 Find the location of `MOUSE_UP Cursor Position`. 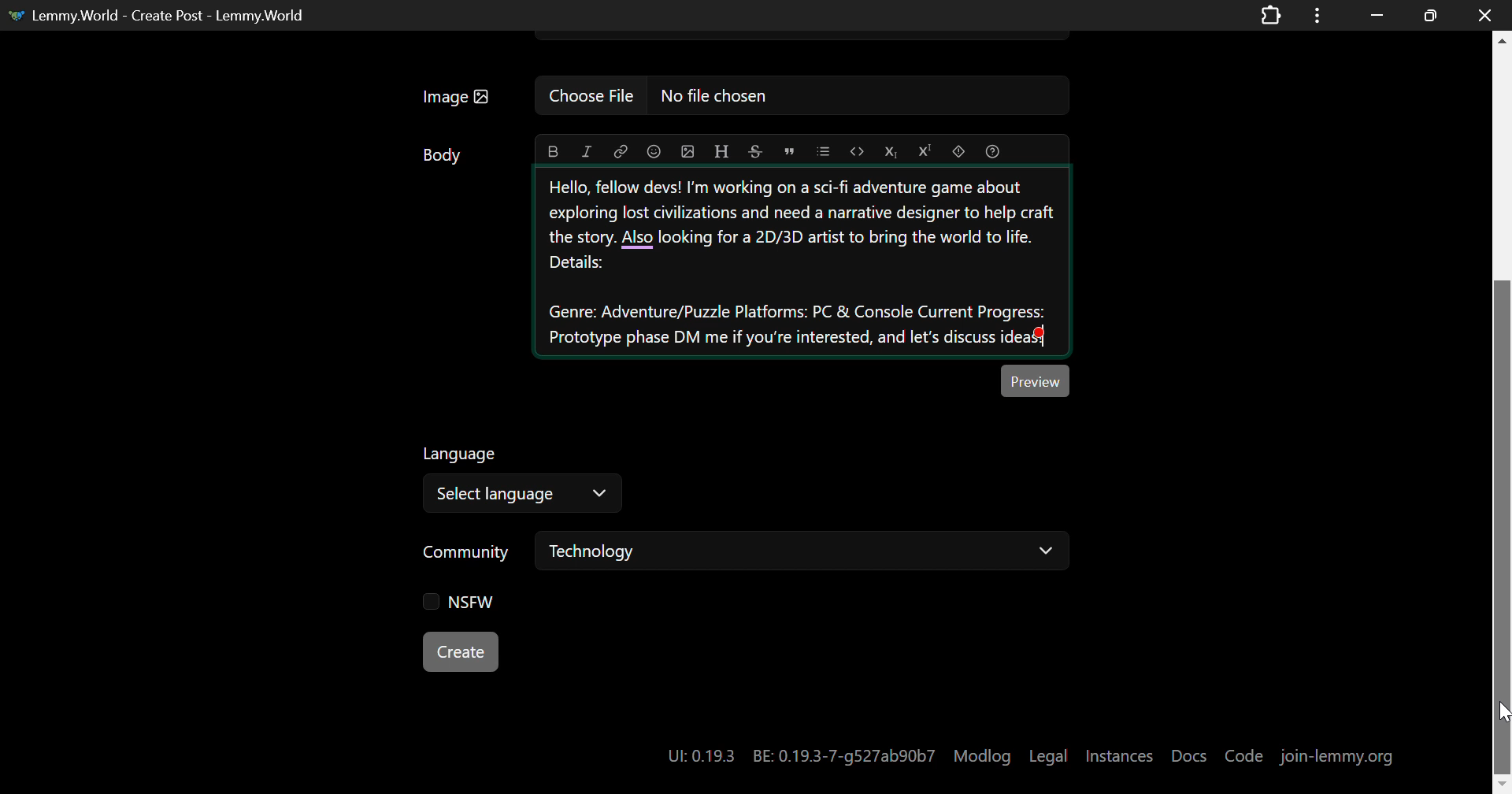

MOUSE_UP Cursor Position is located at coordinates (1503, 707).